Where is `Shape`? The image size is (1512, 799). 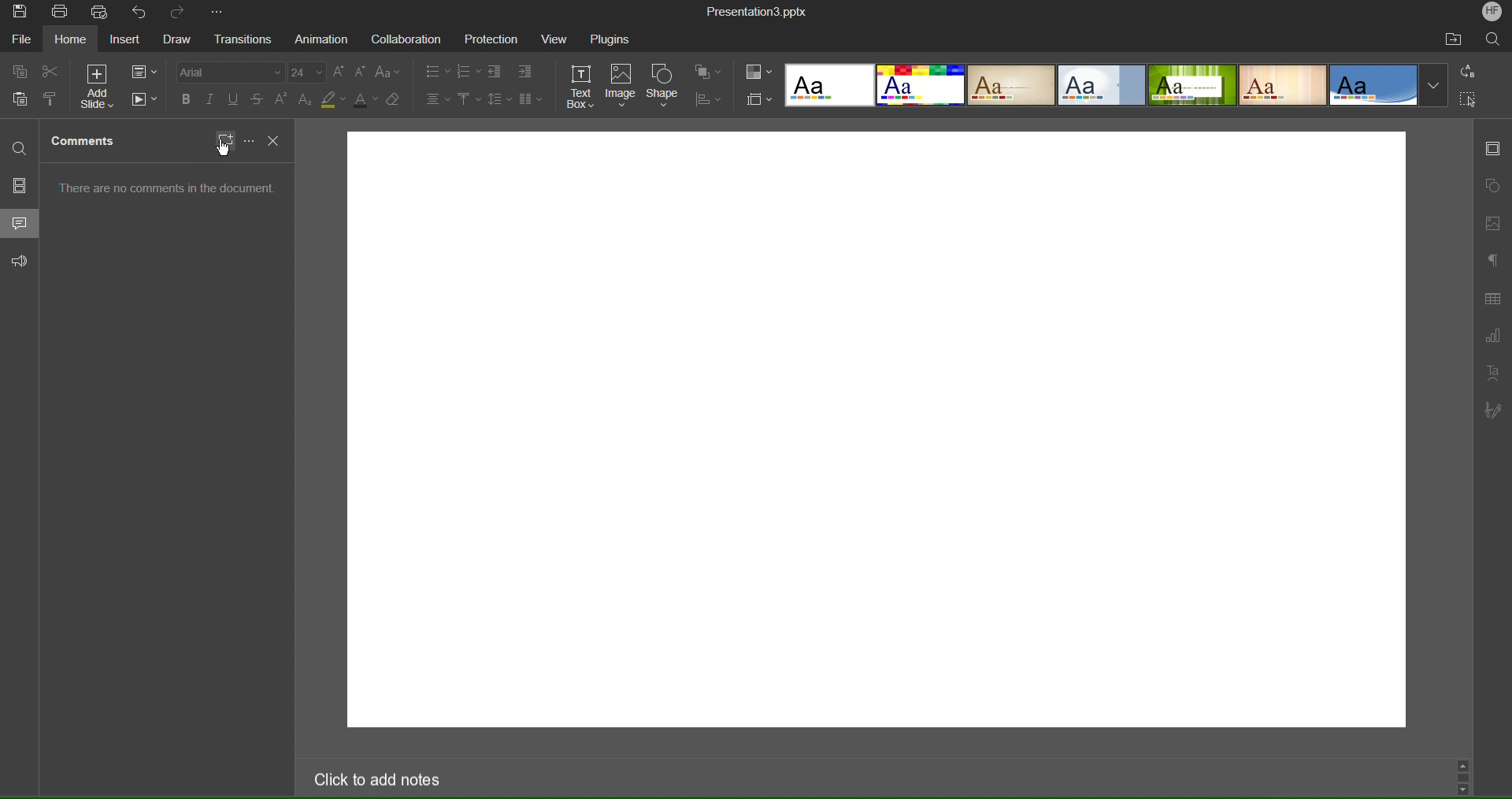 Shape is located at coordinates (666, 86).